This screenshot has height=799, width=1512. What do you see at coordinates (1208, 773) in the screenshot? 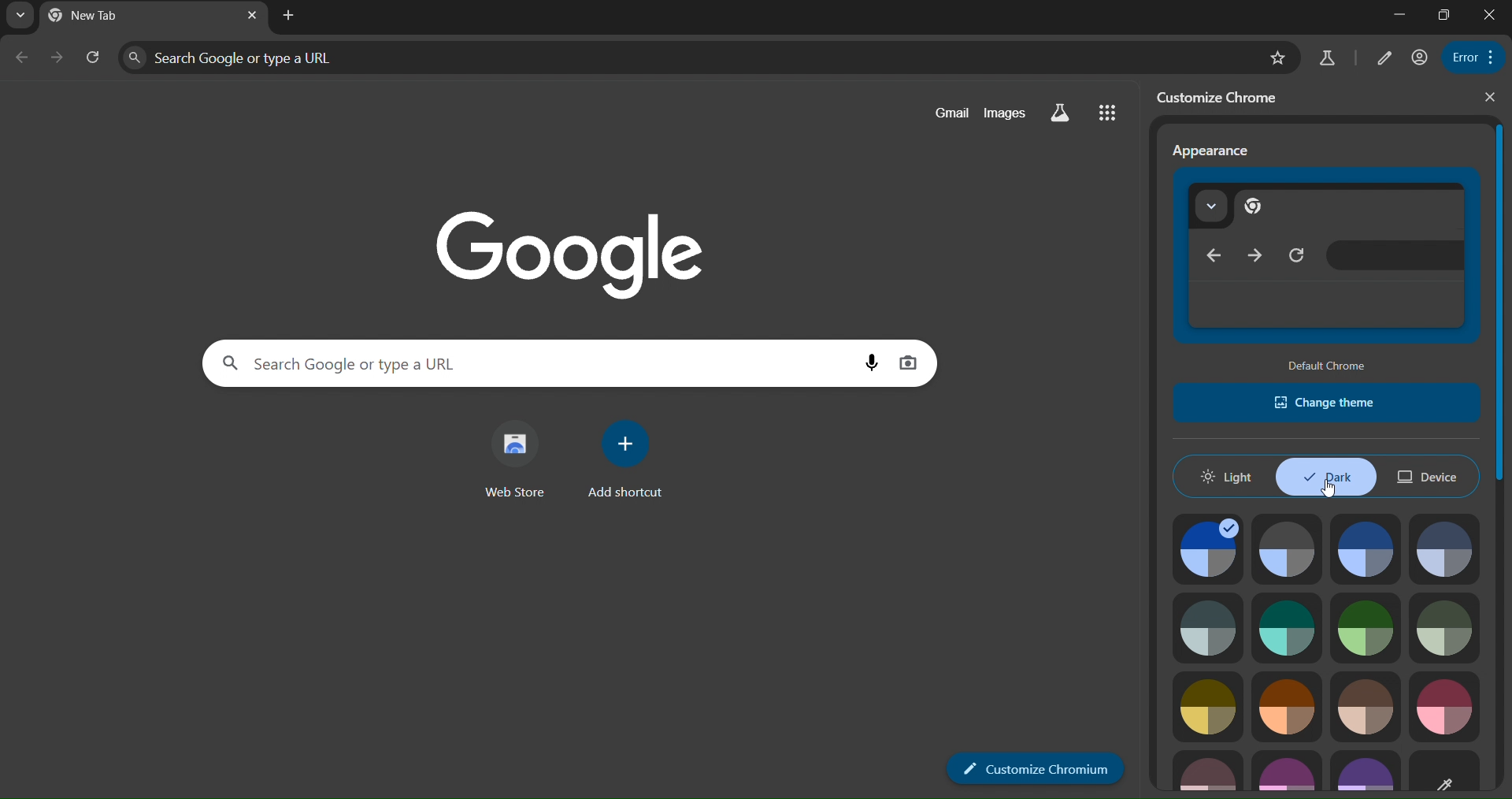
I see `theme icon` at bounding box center [1208, 773].